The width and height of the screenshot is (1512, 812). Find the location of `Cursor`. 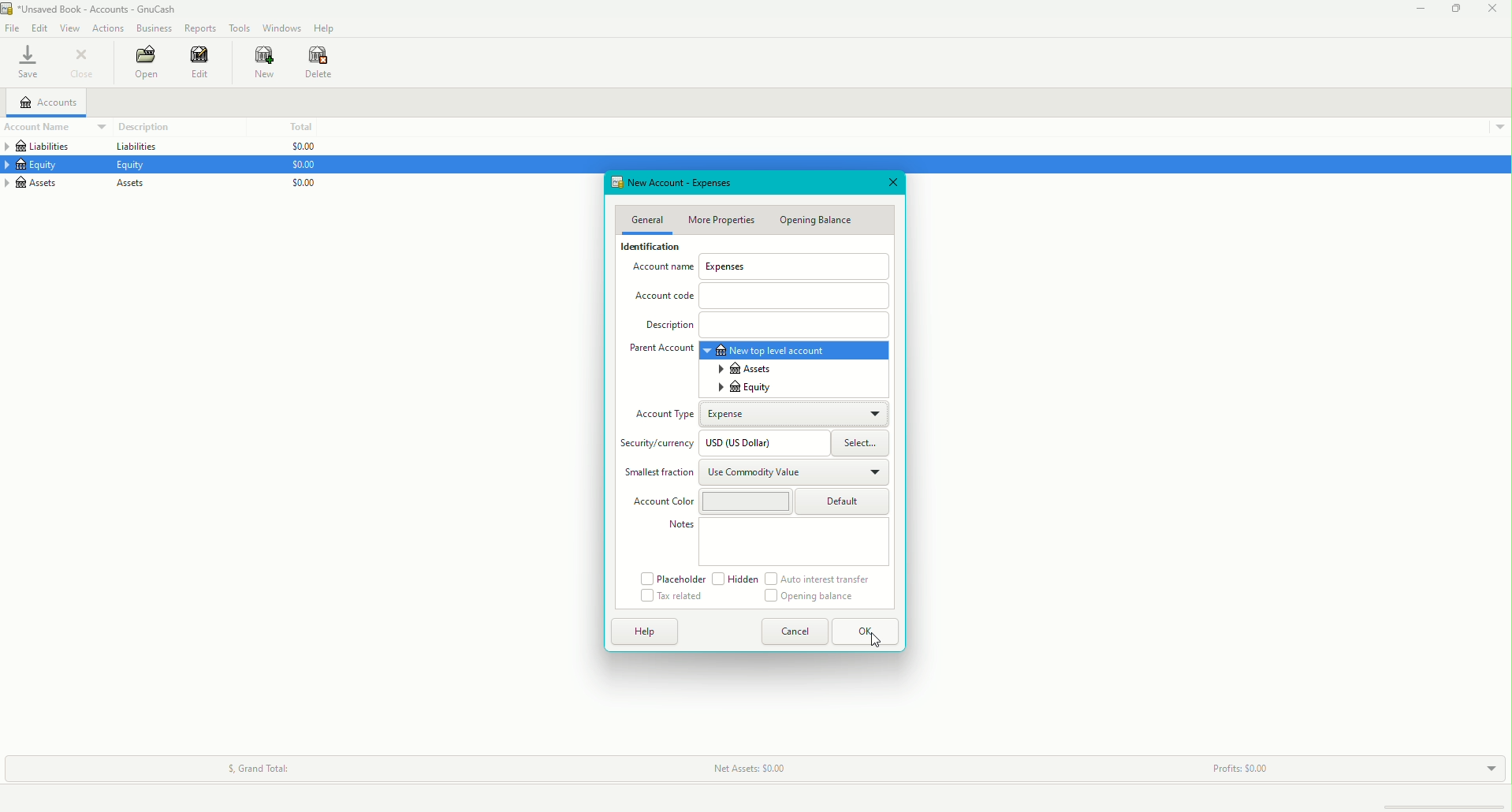

Cursor is located at coordinates (875, 640).